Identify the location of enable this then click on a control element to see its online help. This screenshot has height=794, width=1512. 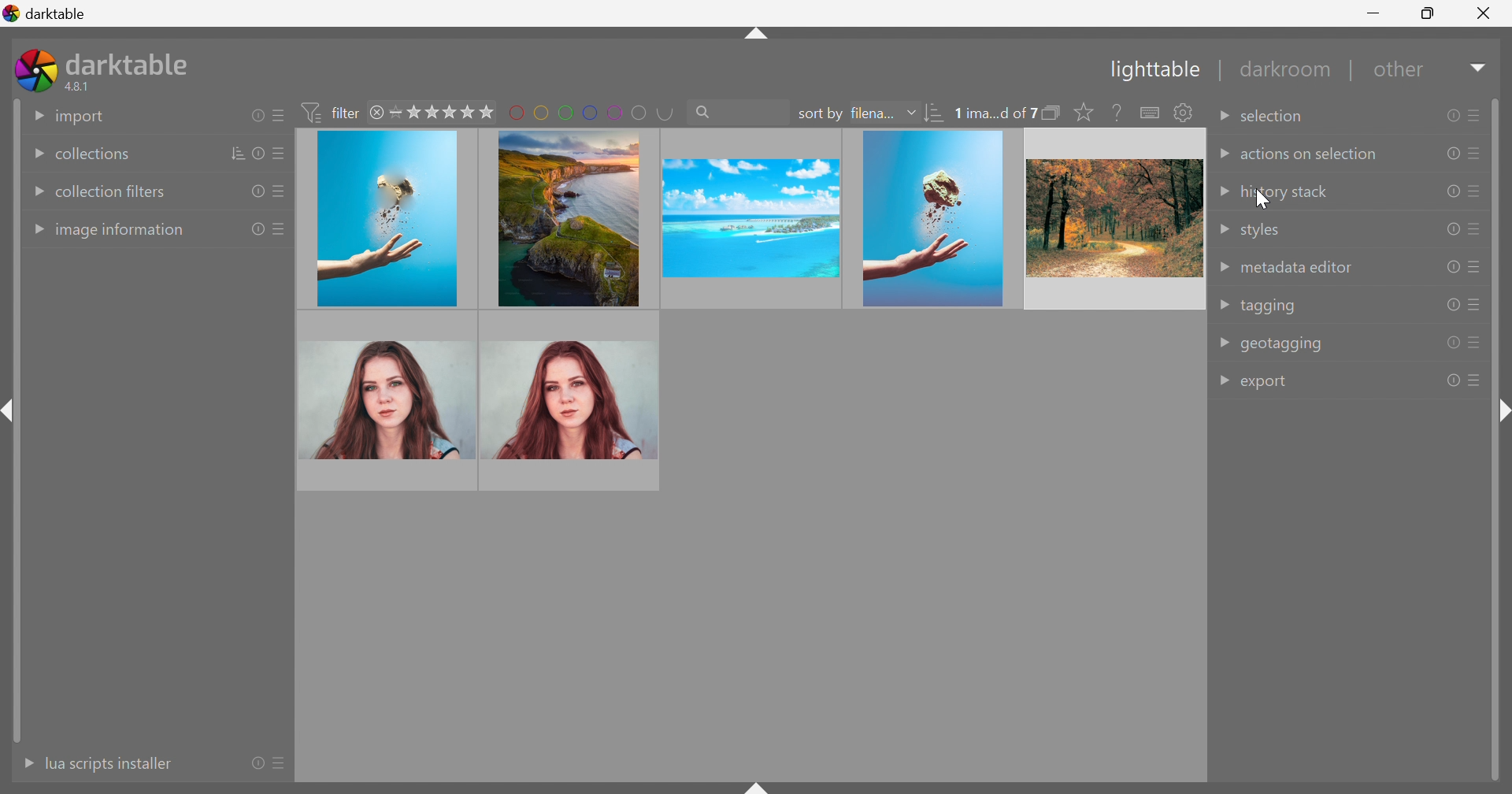
(1117, 112).